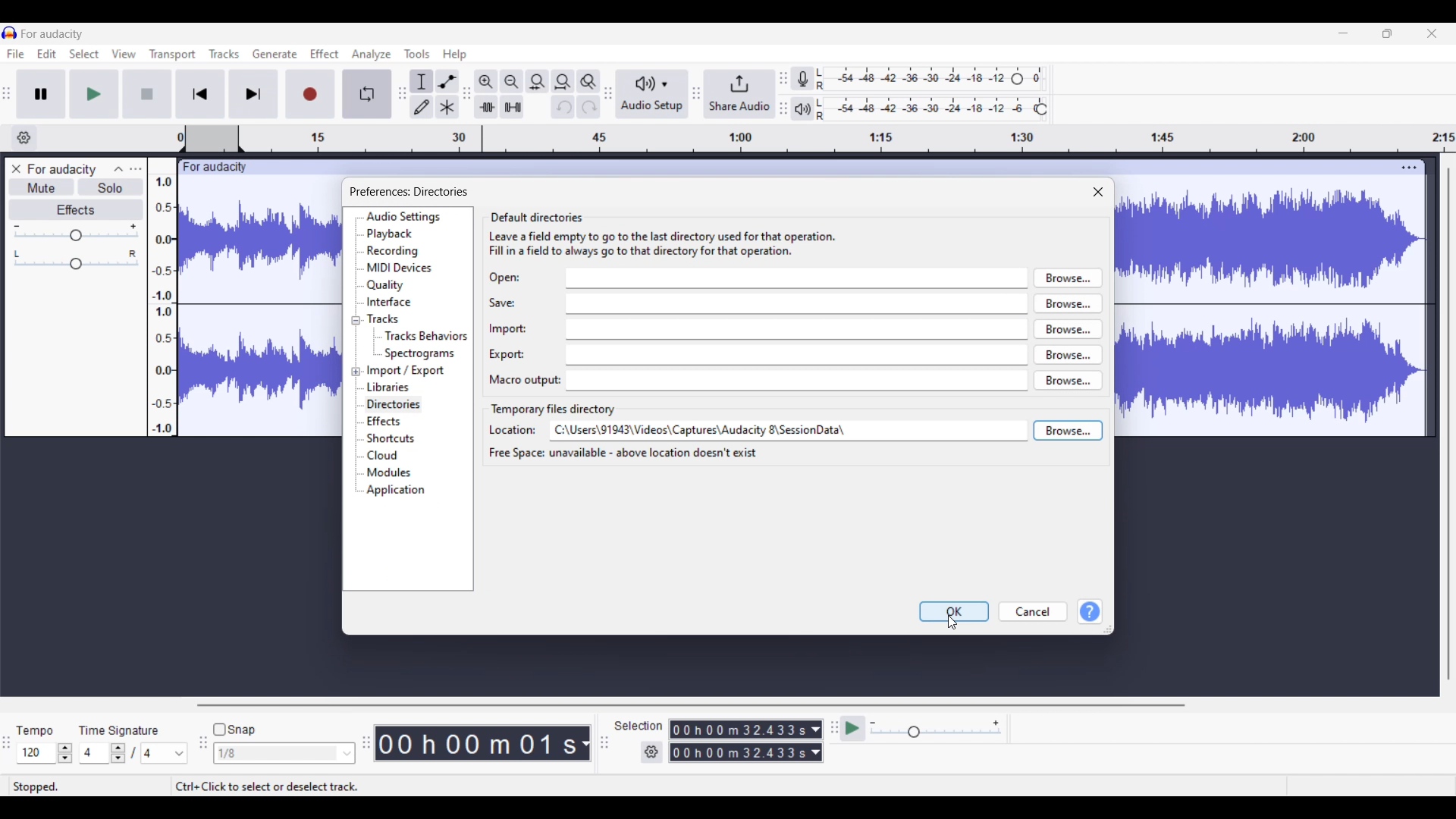  What do you see at coordinates (1017, 79) in the screenshot?
I see `Header to change recording level` at bounding box center [1017, 79].